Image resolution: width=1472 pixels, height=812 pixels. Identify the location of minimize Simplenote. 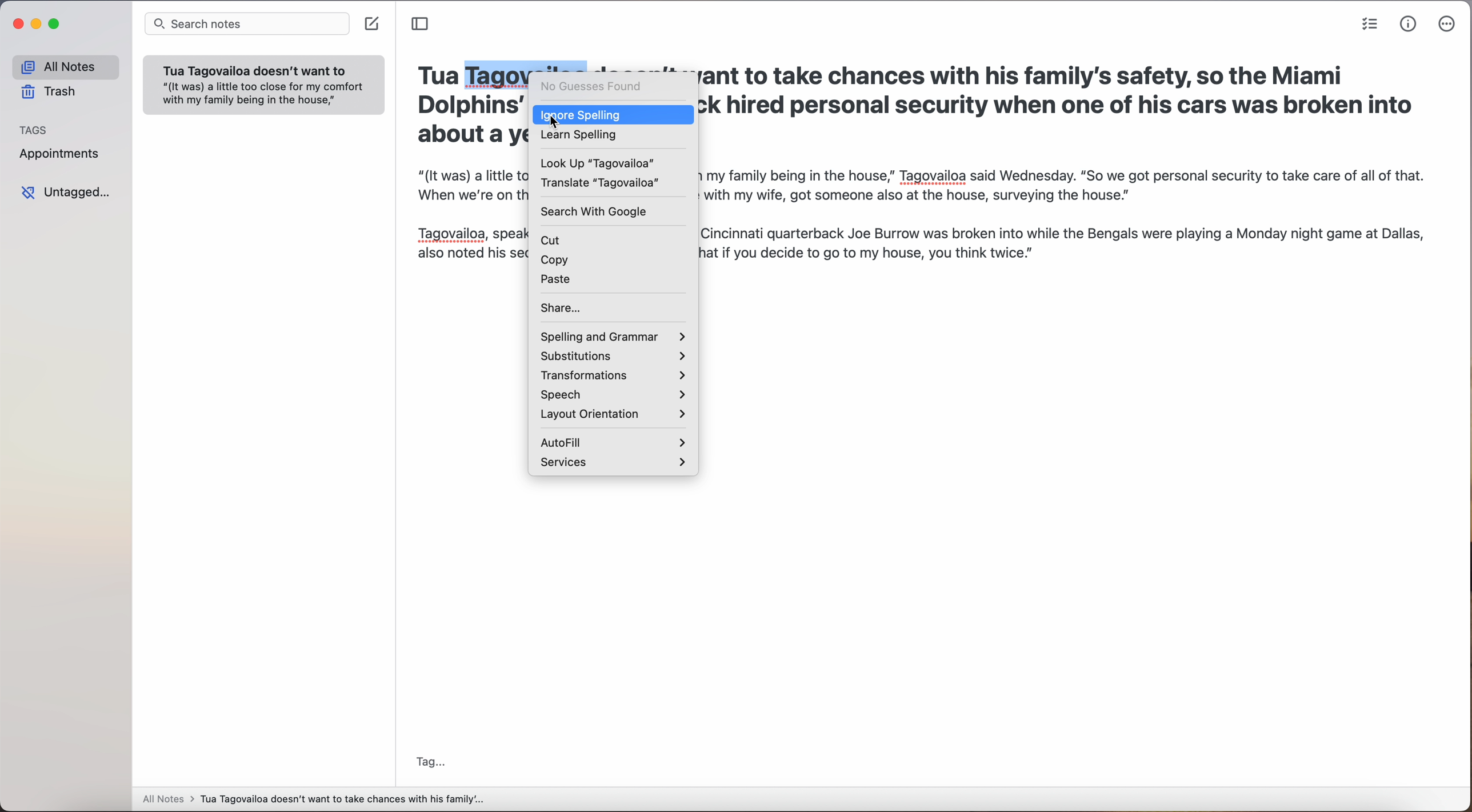
(38, 24).